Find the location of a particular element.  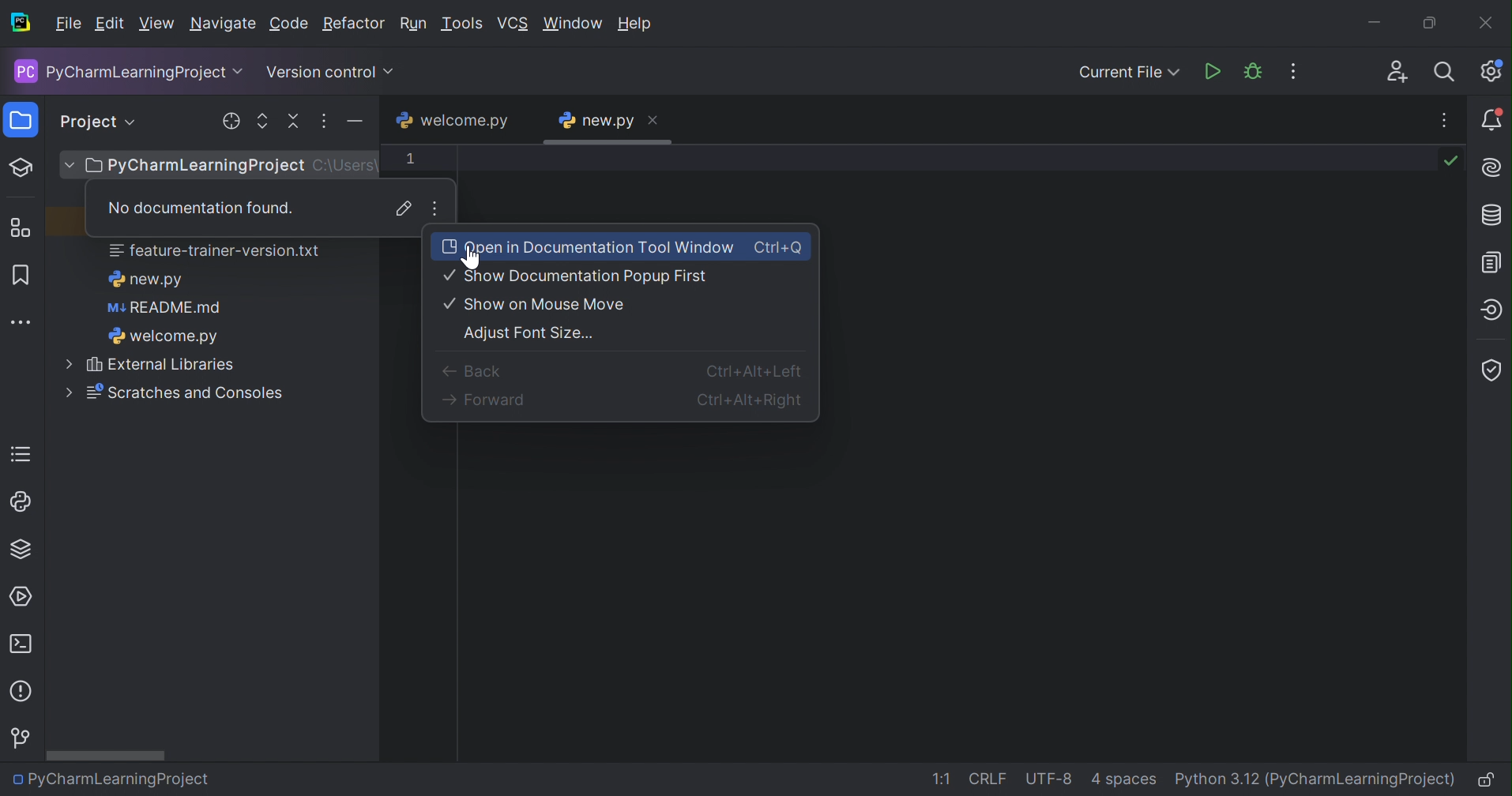

Run 'new.py'' is located at coordinates (1213, 71).